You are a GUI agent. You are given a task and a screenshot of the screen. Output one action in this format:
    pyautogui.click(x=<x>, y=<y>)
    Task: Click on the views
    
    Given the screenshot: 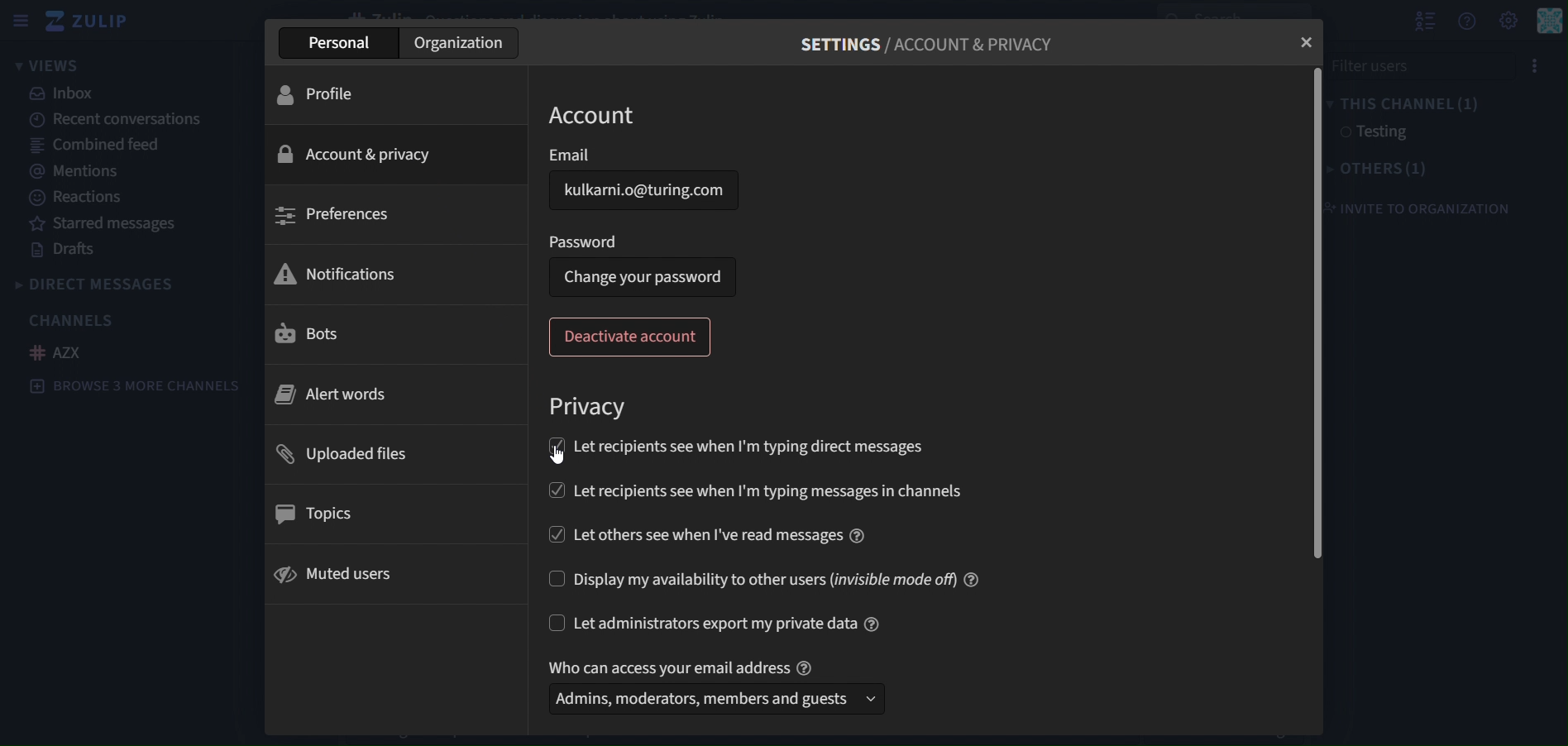 What is the action you would take?
    pyautogui.click(x=55, y=65)
    